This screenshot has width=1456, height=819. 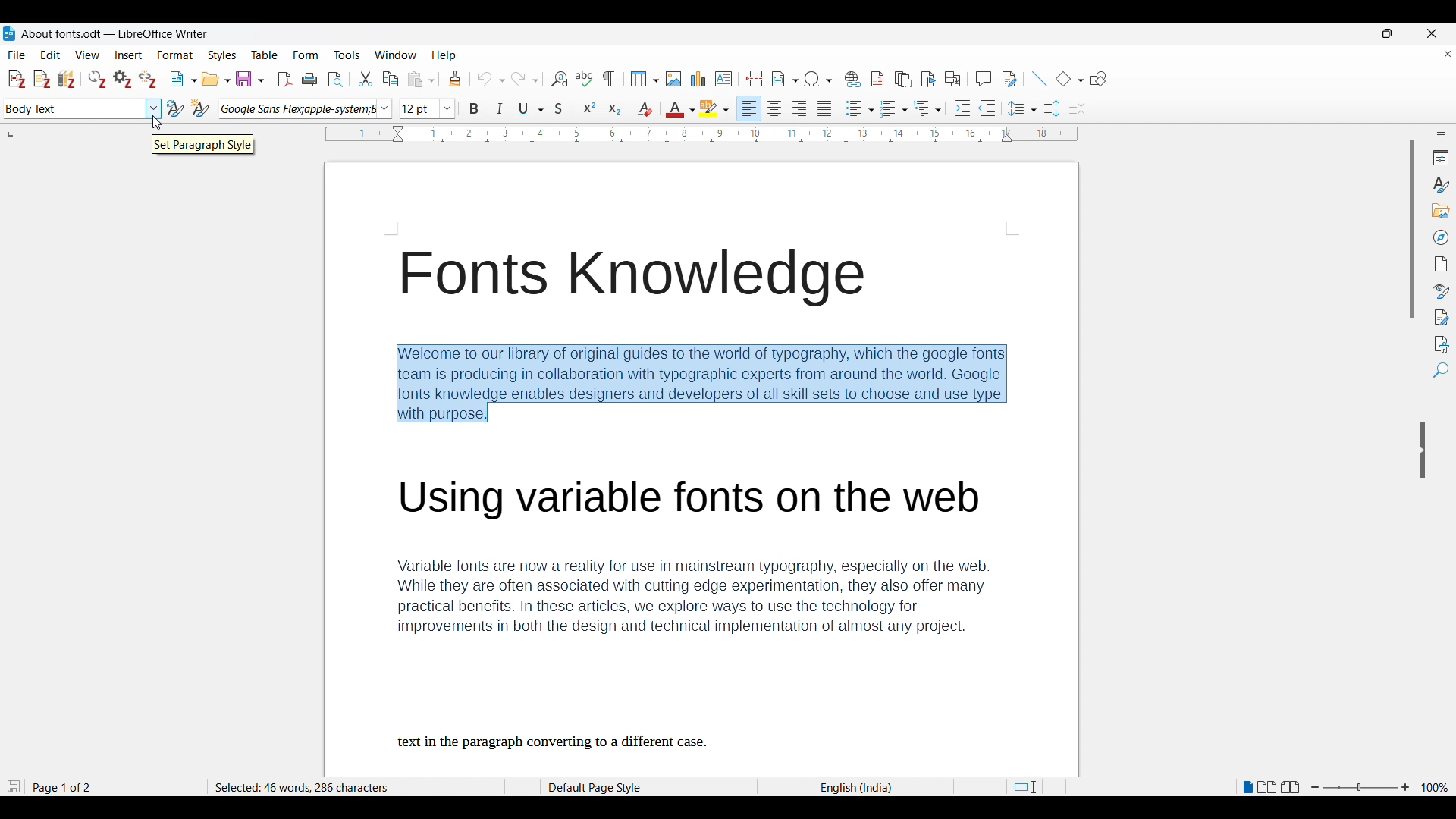 I want to click on Accessibility check, so click(x=1442, y=345).